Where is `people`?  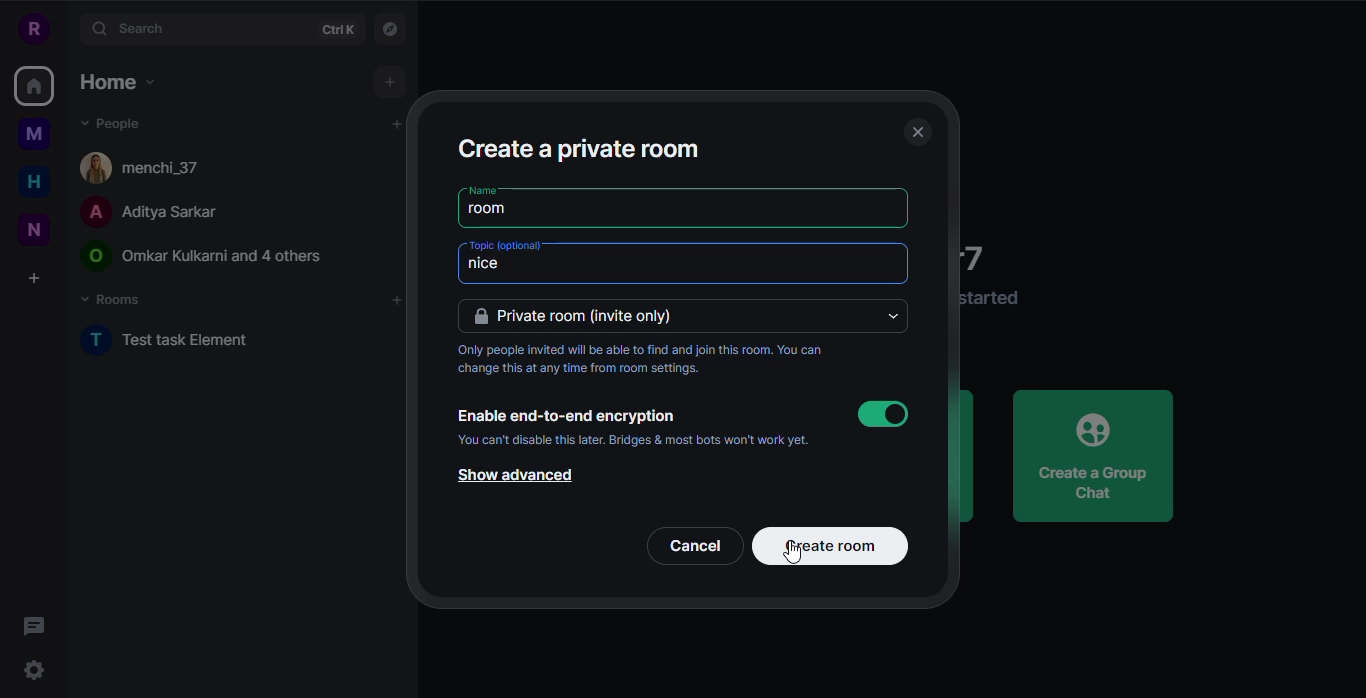
people is located at coordinates (204, 257).